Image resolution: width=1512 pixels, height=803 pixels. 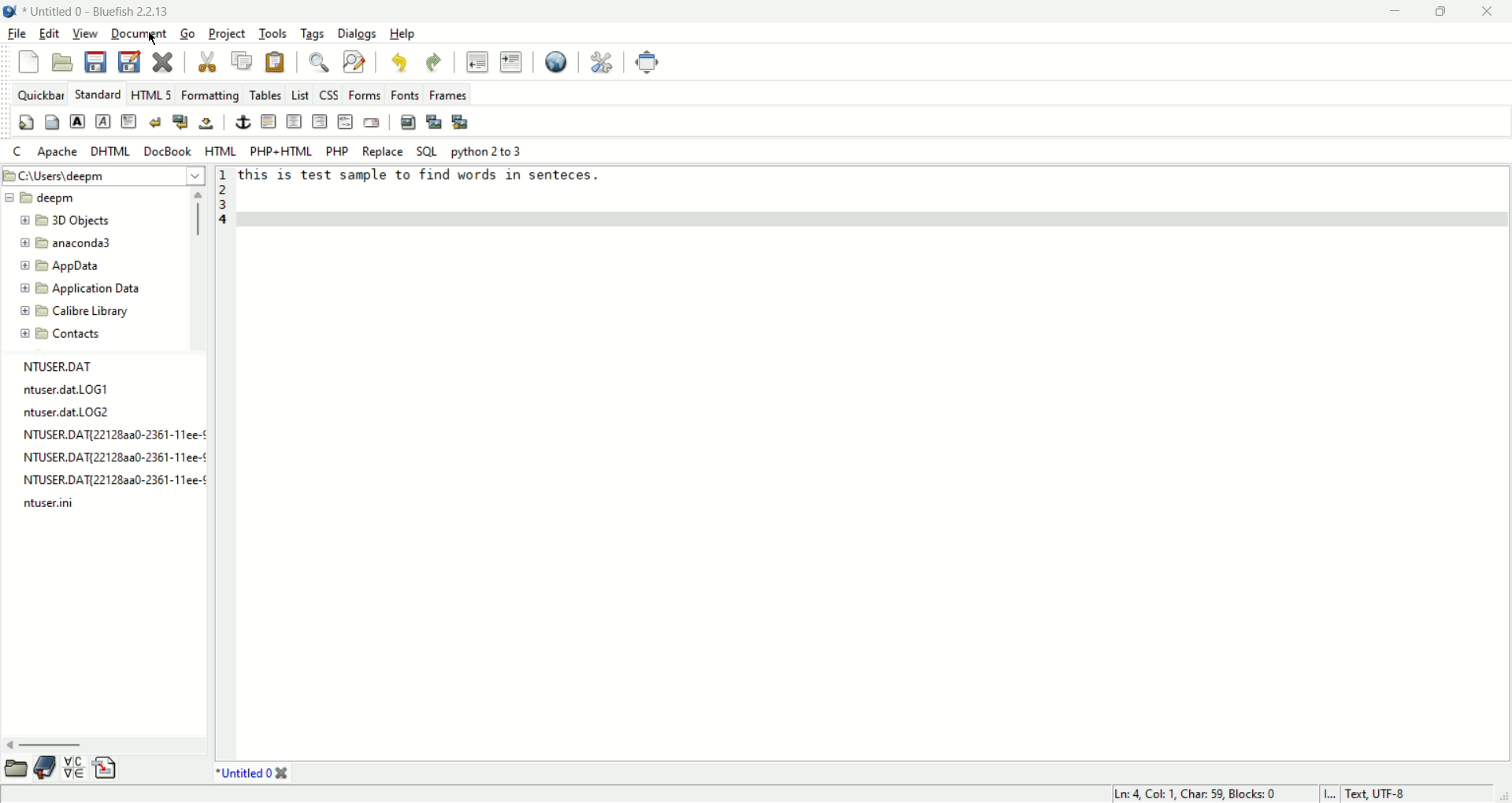 I want to click on help, so click(x=401, y=35).